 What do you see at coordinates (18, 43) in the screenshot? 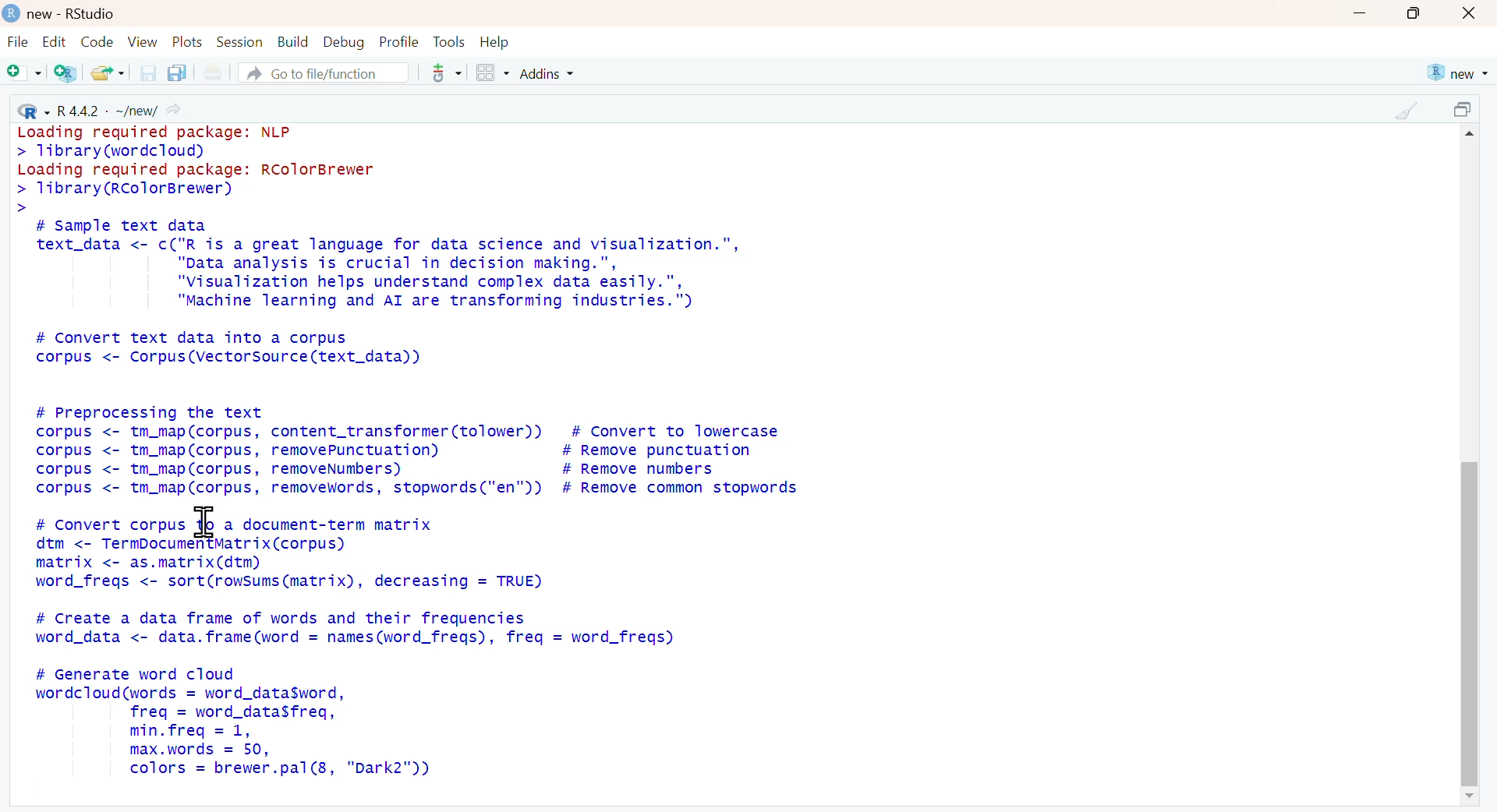
I see `File` at bounding box center [18, 43].